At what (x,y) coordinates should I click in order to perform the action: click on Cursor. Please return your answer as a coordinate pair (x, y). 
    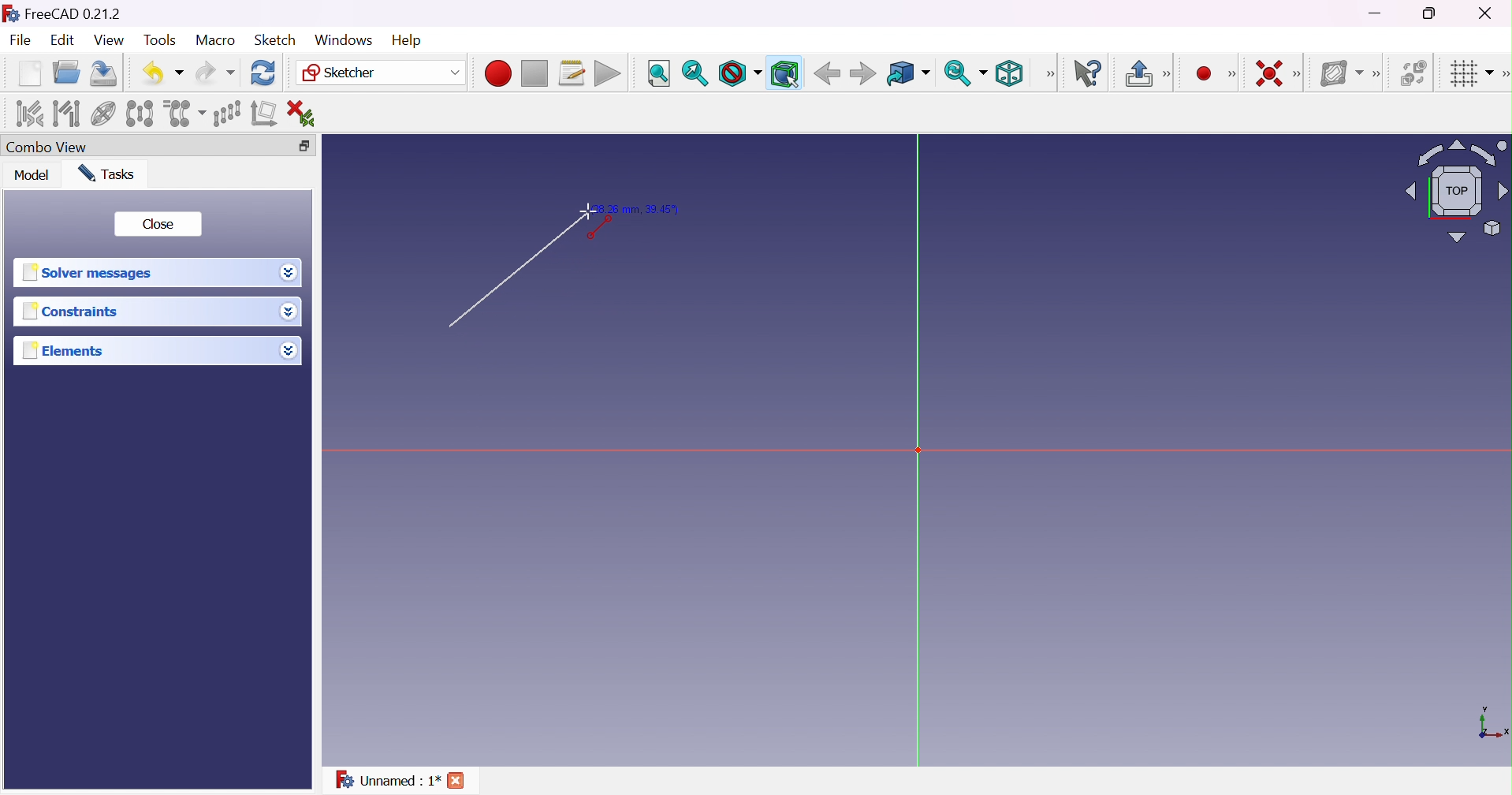
    Looking at the image, I should click on (588, 212).